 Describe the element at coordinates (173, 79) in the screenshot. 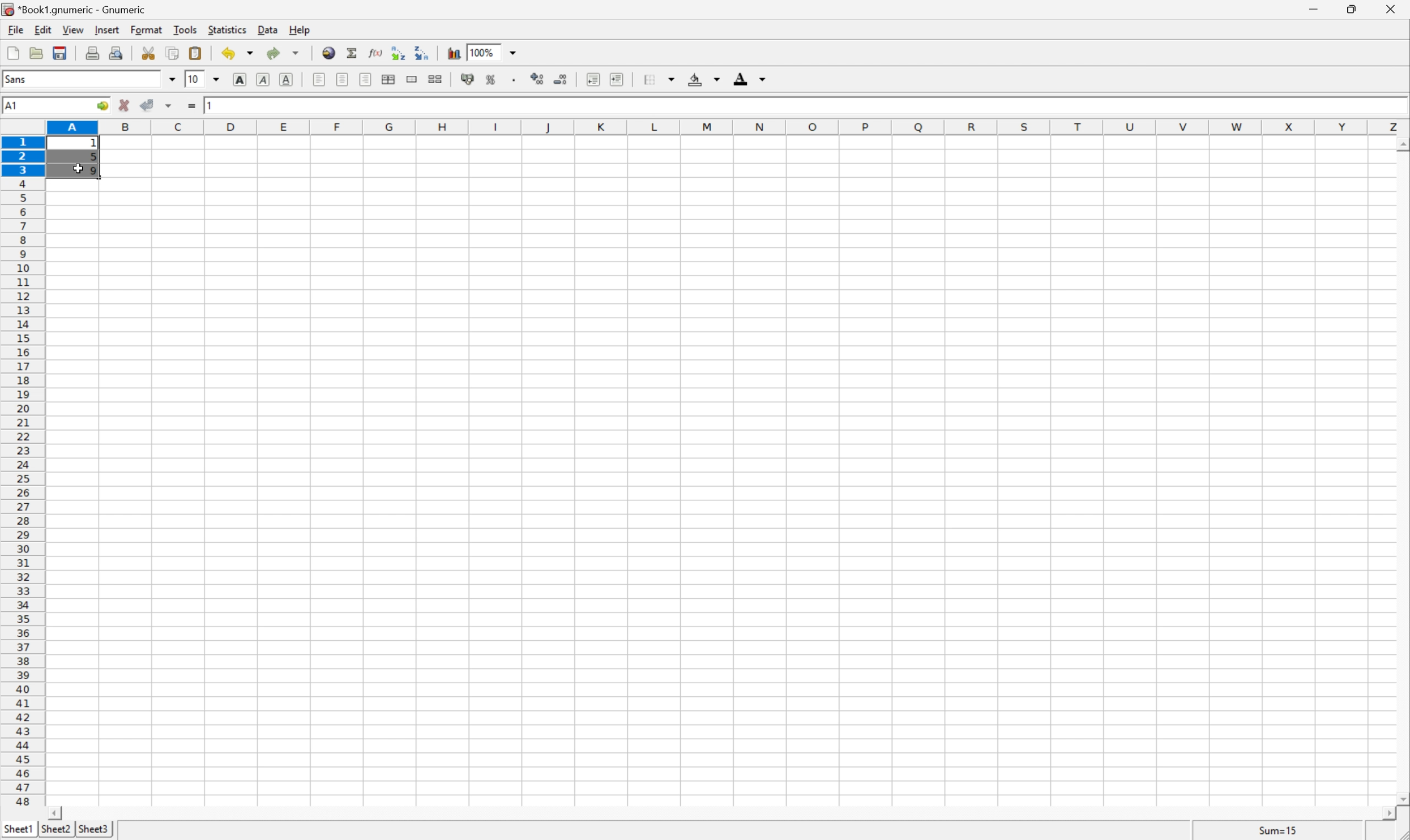

I see `drop down` at that location.